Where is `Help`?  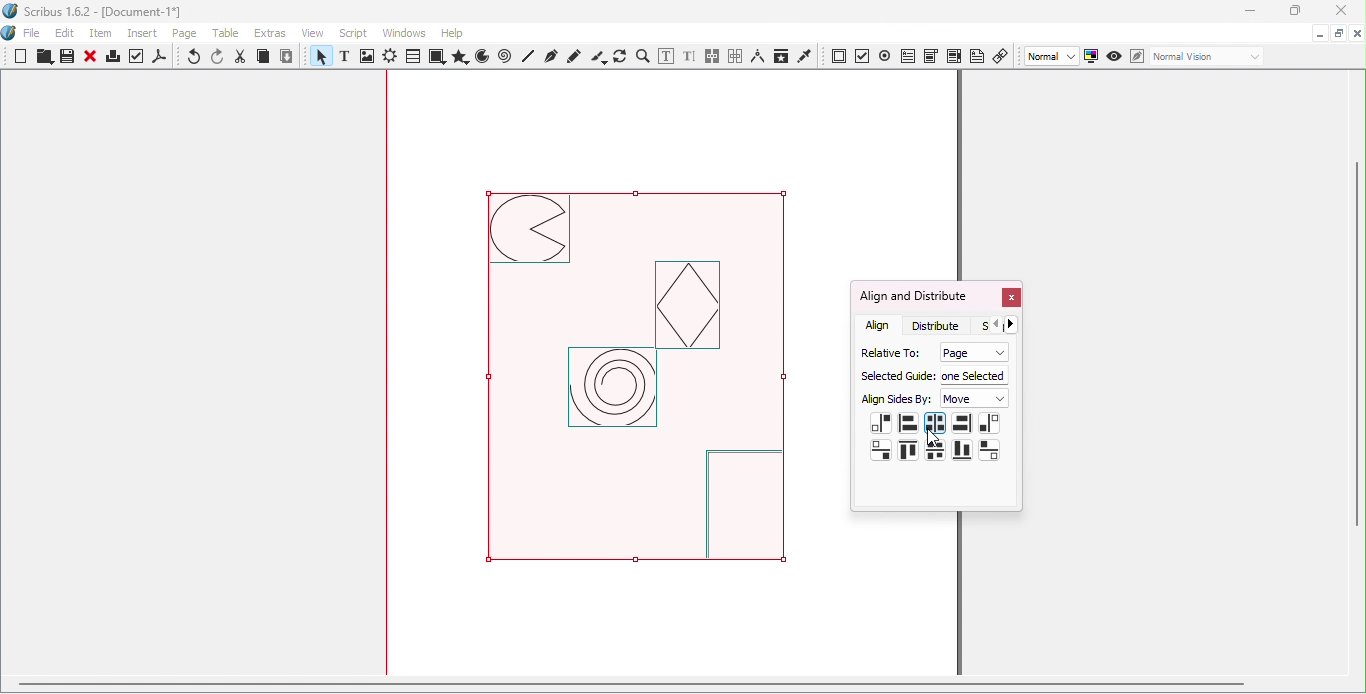
Help is located at coordinates (452, 33).